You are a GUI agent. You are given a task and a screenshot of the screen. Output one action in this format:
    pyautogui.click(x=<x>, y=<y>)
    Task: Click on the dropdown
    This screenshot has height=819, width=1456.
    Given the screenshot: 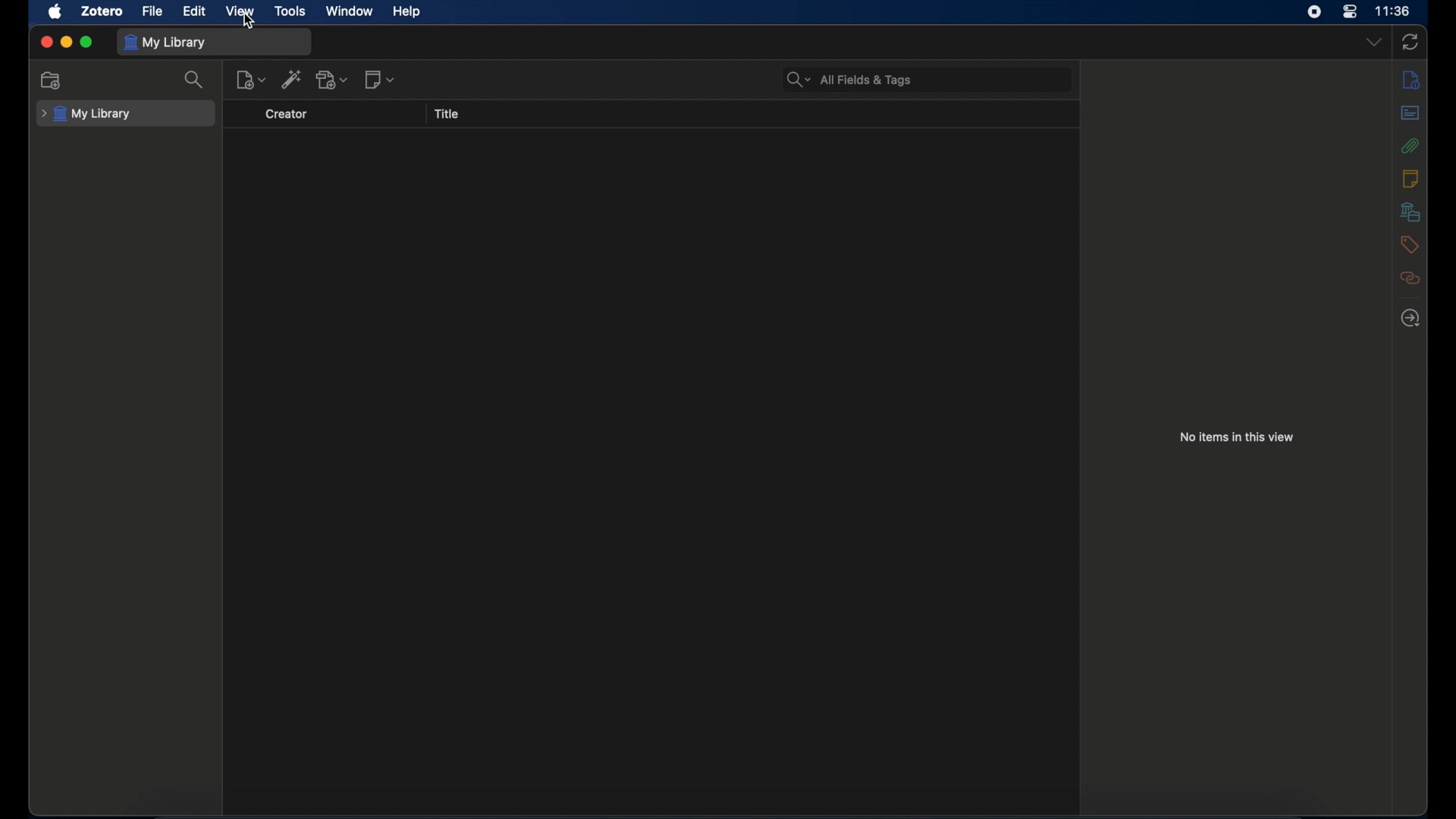 What is the action you would take?
    pyautogui.click(x=1375, y=42)
    